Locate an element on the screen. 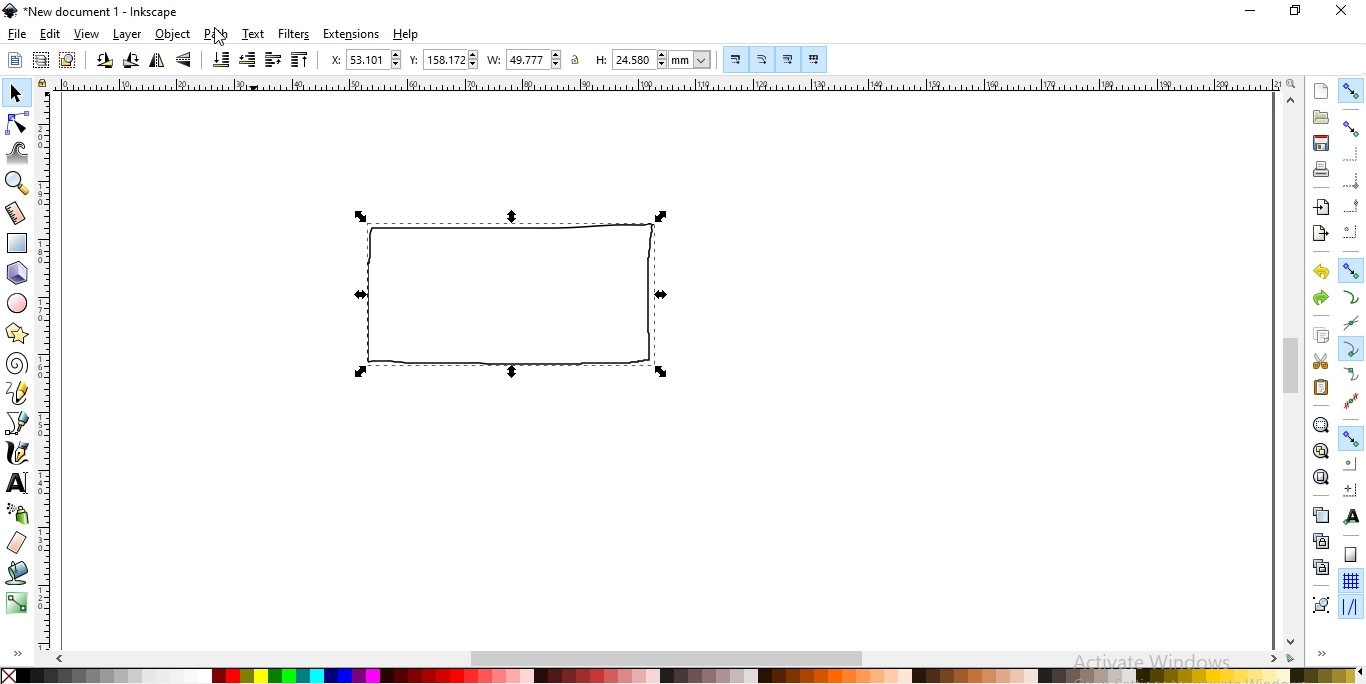 This screenshot has width=1366, height=684. filters is located at coordinates (294, 34).